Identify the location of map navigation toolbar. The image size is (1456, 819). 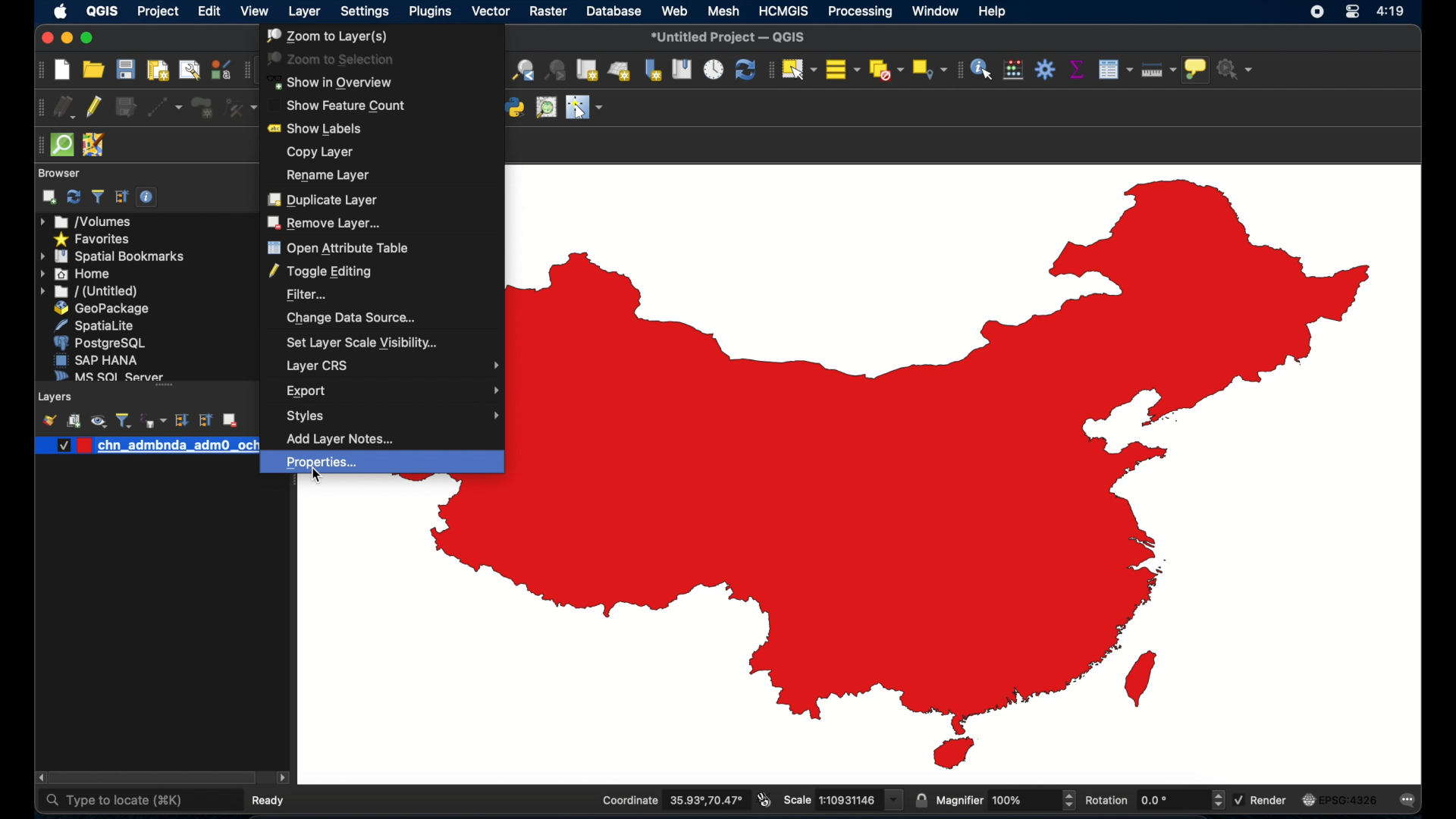
(246, 71).